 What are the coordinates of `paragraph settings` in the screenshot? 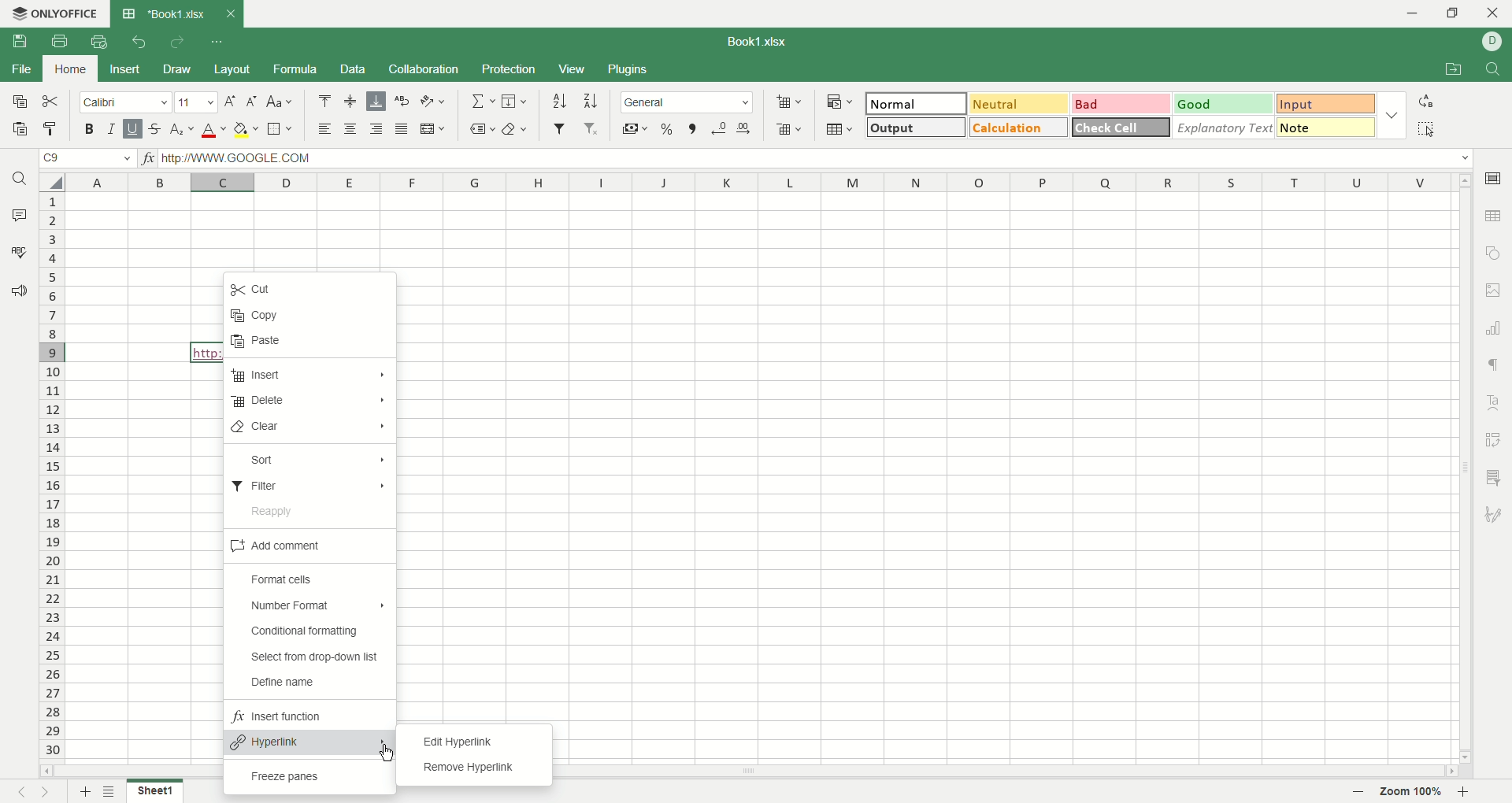 It's located at (1494, 362).